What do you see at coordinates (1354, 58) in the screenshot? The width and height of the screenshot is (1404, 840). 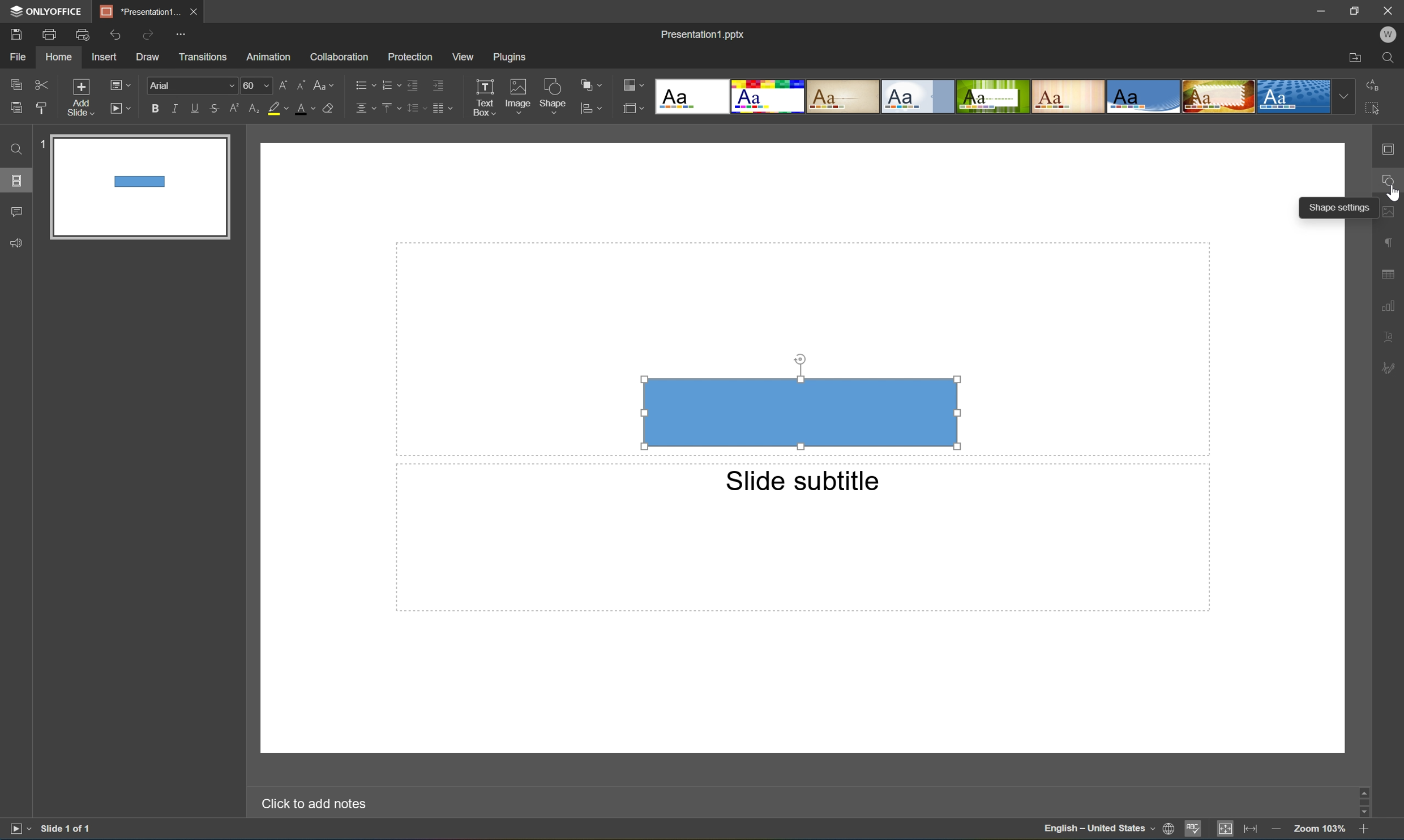 I see `Open file location` at bounding box center [1354, 58].